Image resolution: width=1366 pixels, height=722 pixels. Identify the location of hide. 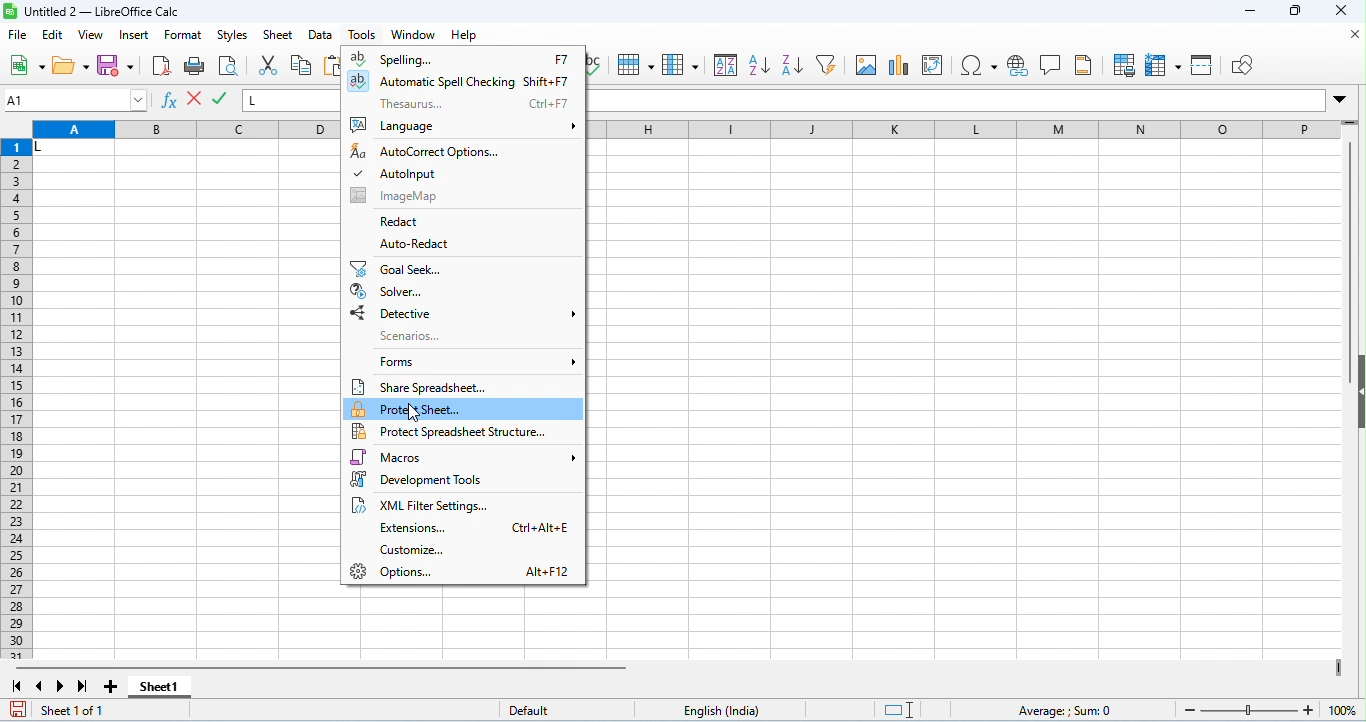
(1357, 390).